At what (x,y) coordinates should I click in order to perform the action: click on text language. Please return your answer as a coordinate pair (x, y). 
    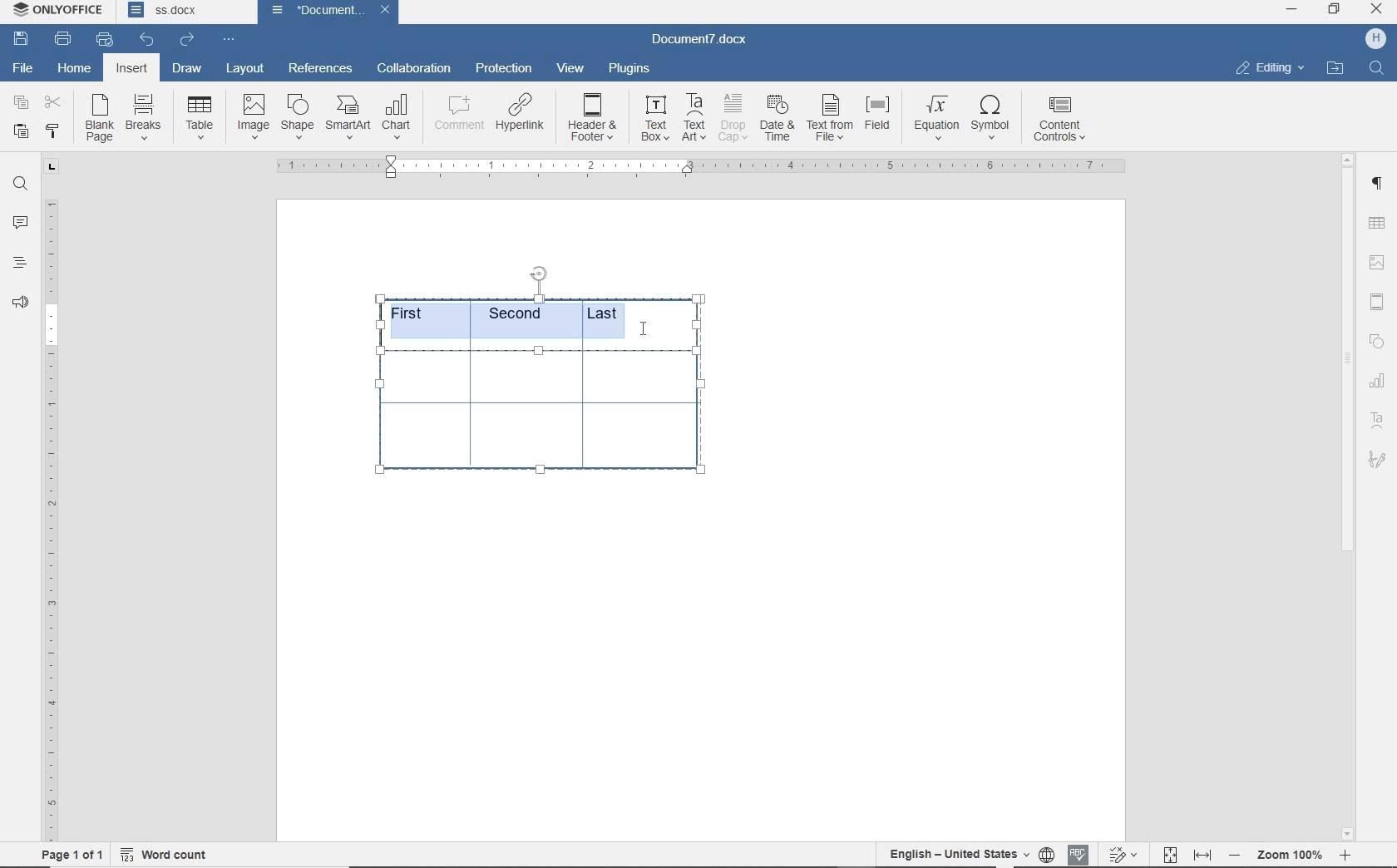
    Looking at the image, I should click on (959, 852).